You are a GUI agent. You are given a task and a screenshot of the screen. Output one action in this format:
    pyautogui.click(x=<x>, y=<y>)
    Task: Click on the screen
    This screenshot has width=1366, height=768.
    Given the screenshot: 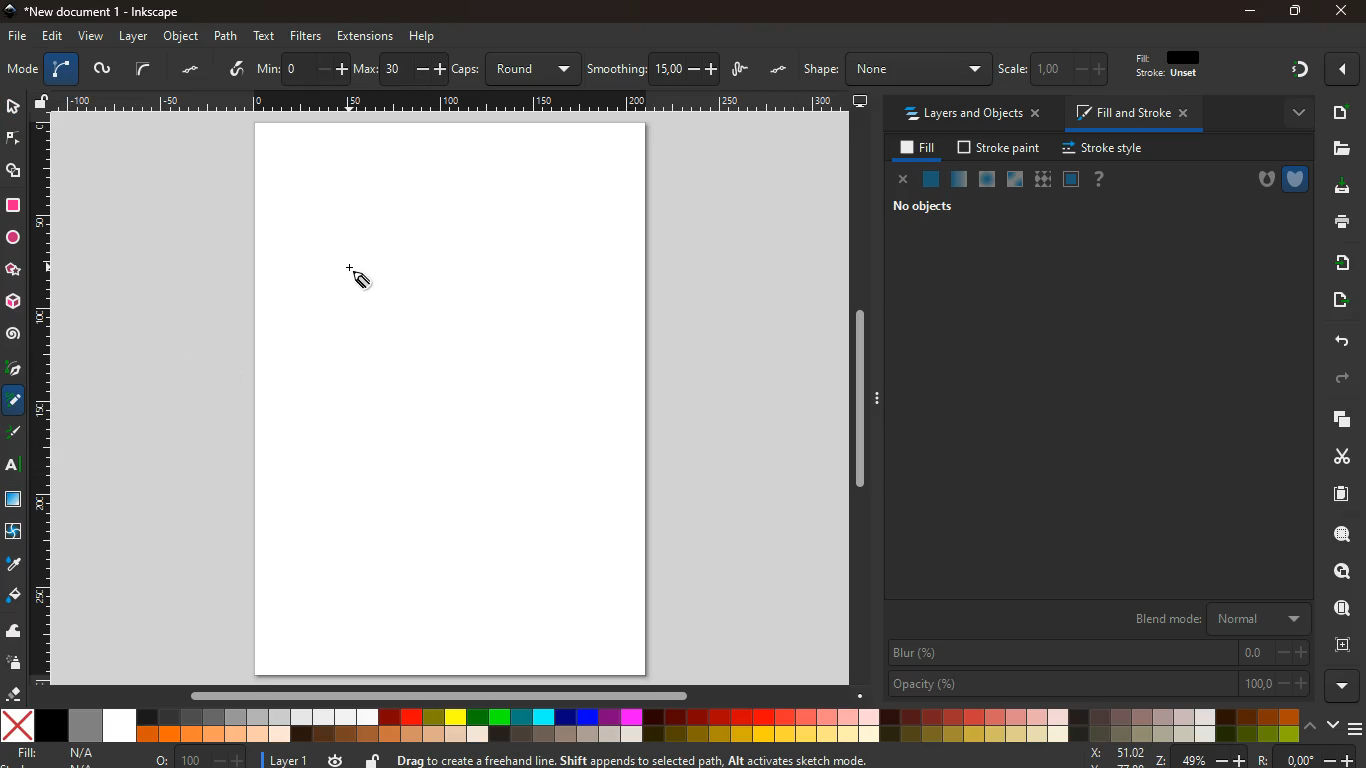 What is the action you would take?
    pyautogui.click(x=452, y=399)
    